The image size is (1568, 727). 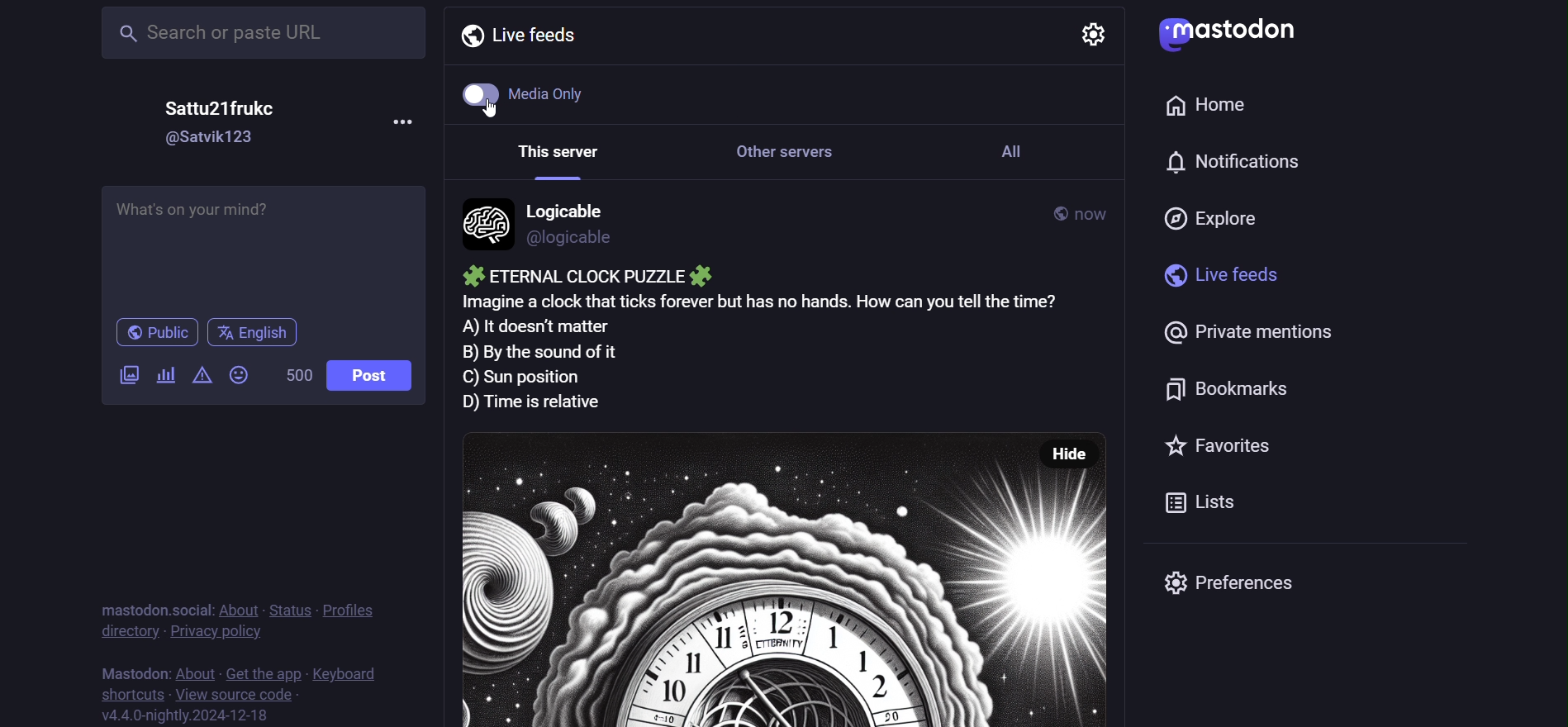 What do you see at coordinates (126, 375) in the screenshot?
I see `image/video` at bounding box center [126, 375].